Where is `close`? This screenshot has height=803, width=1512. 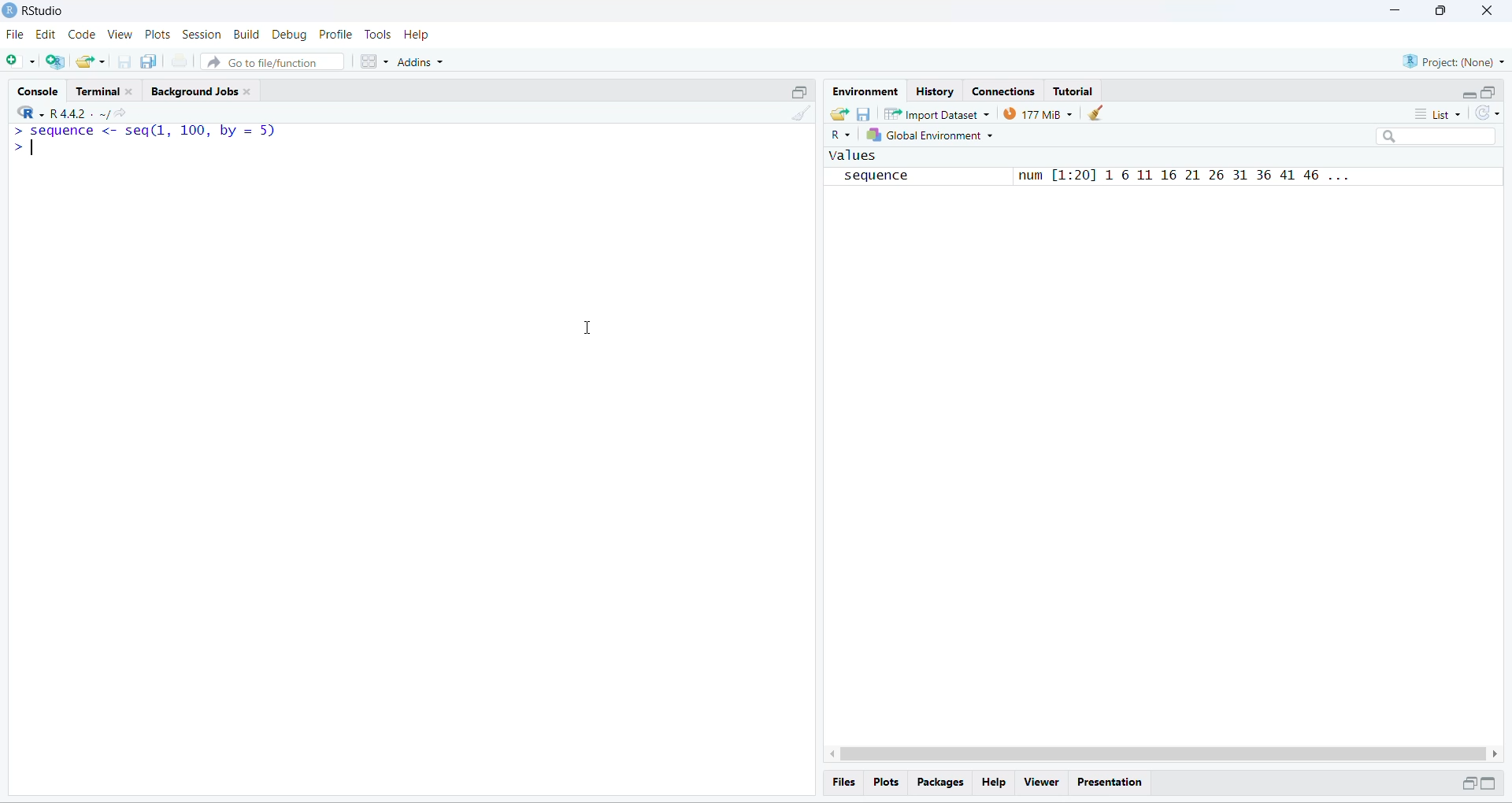 close is located at coordinates (1488, 10).